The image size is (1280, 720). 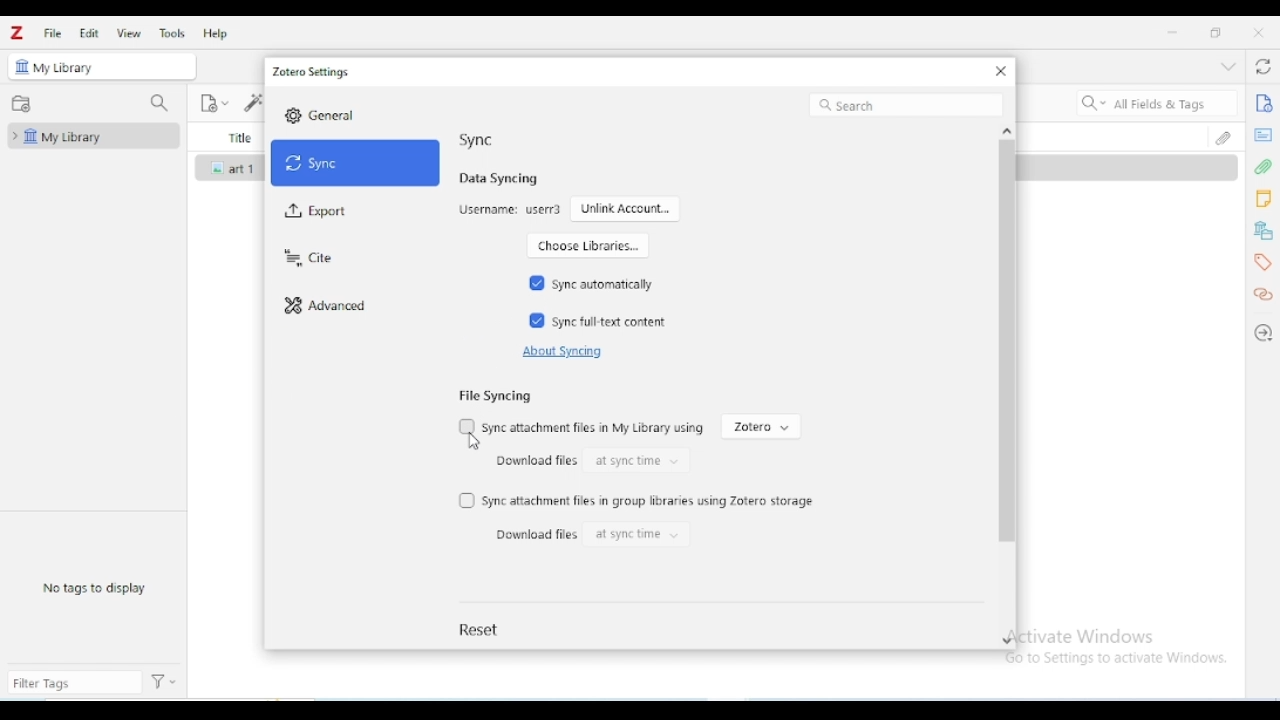 I want to click on sync full-text content, so click(x=612, y=322).